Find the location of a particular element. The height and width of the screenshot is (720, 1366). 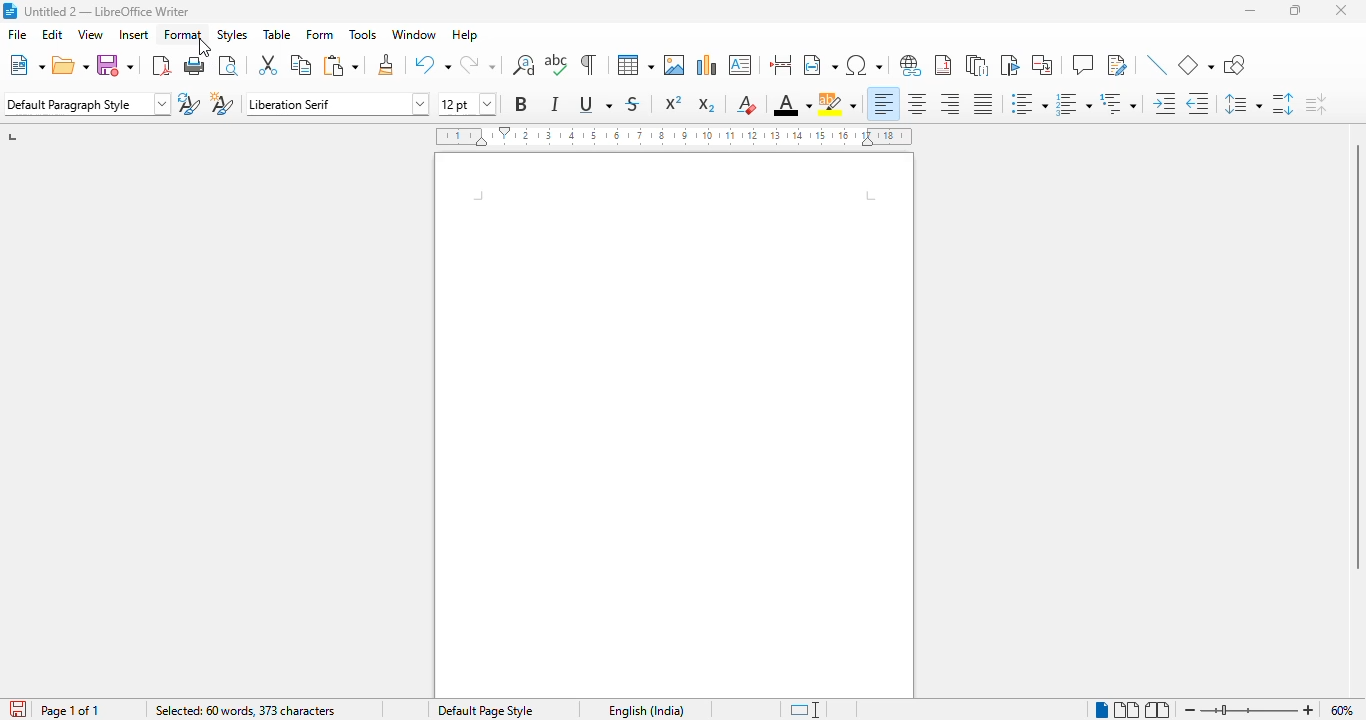

insert text box is located at coordinates (740, 65).